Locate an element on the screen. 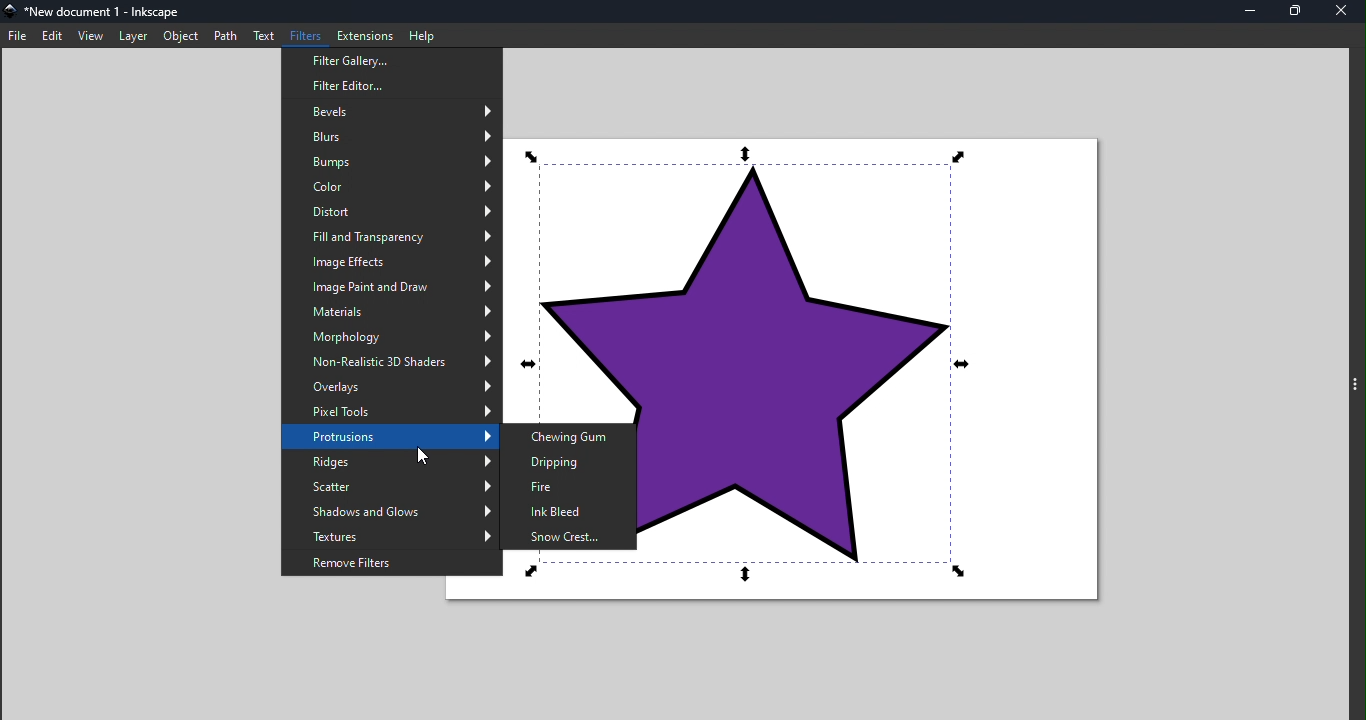 This screenshot has height=720, width=1366. cursor is located at coordinates (415, 457).